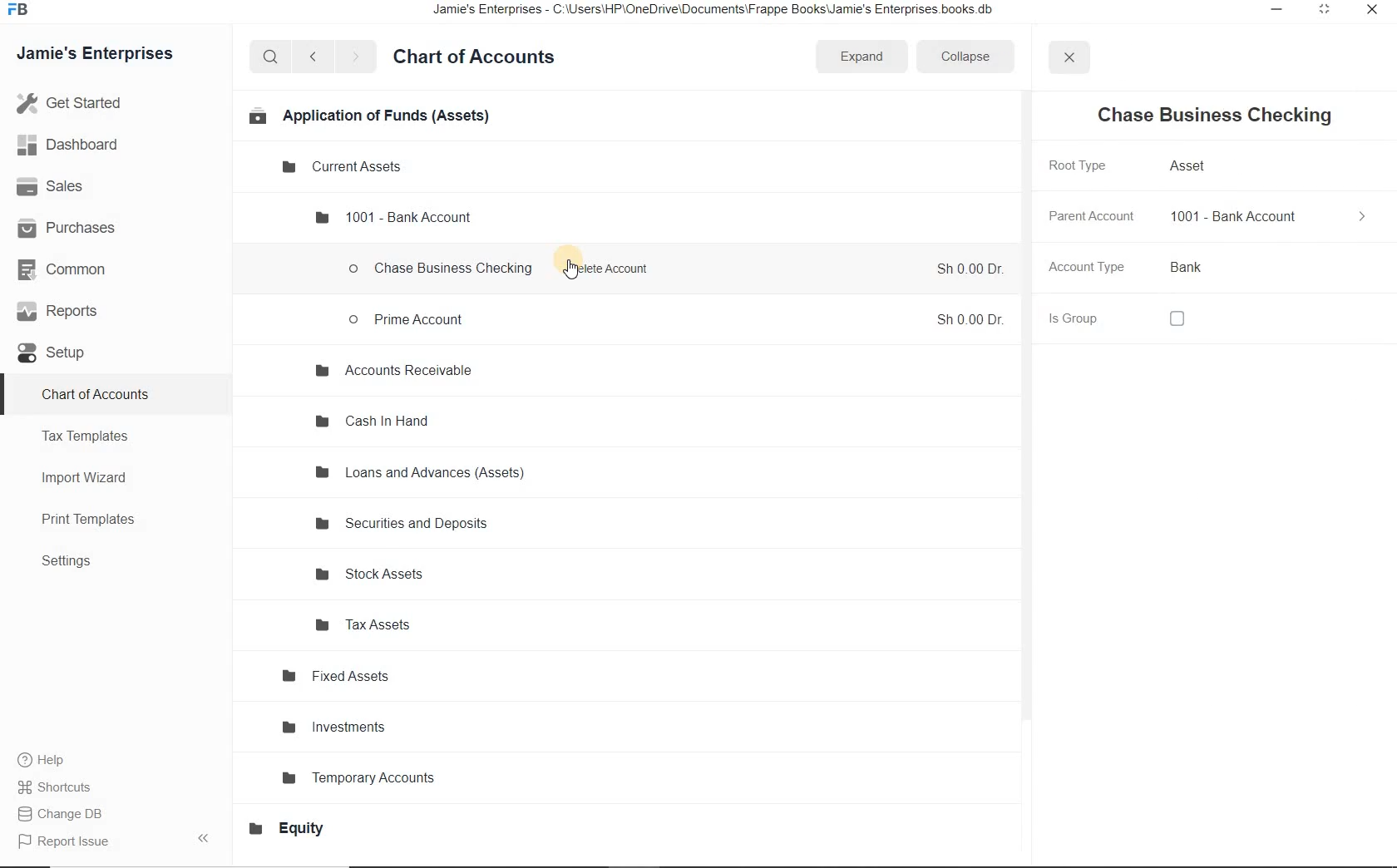  What do you see at coordinates (365, 776) in the screenshot?
I see `Temporary Accounts` at bounding box center [365, 776].